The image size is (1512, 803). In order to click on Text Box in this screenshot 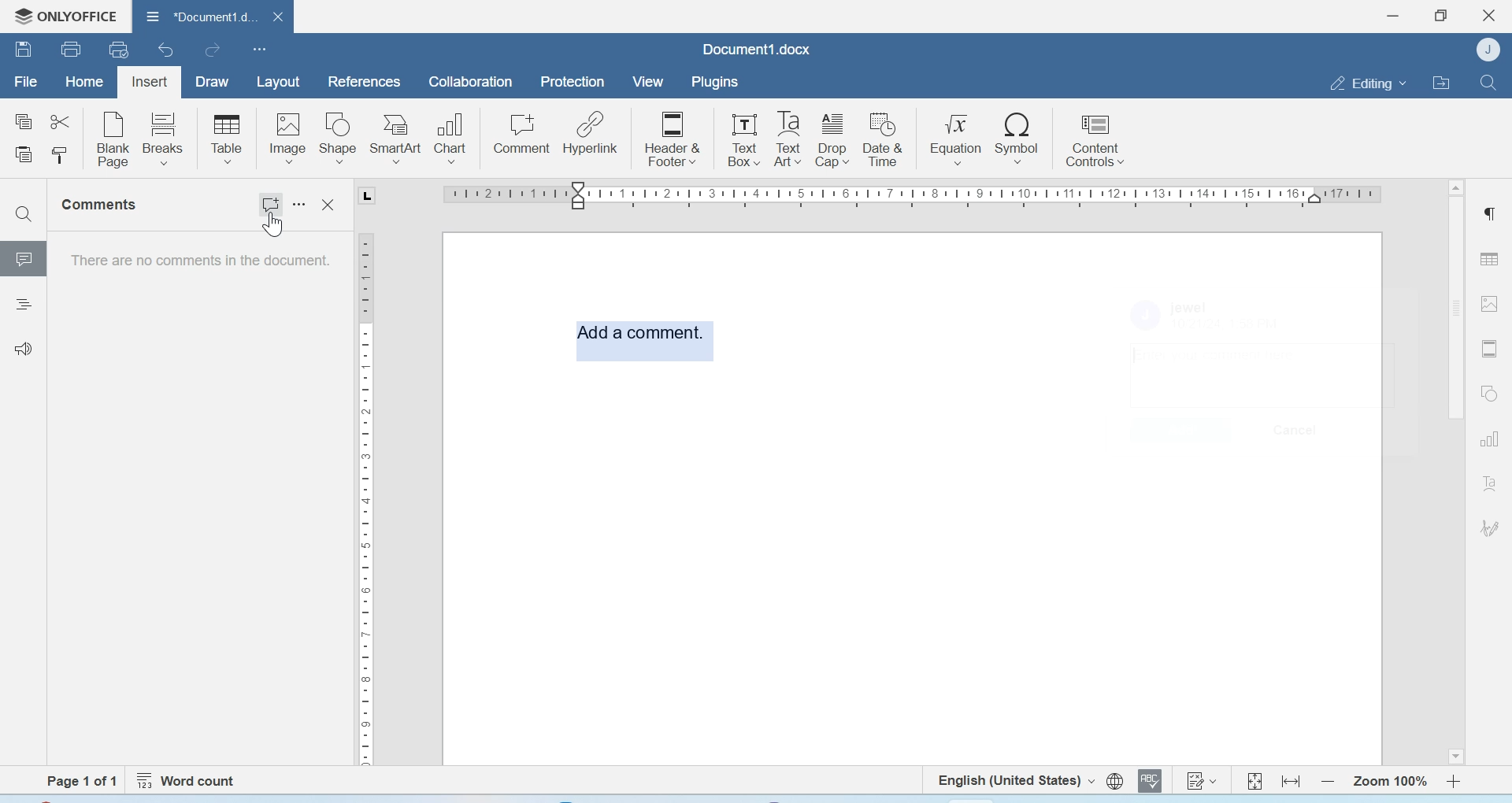, I will do `click(788, 139)`.